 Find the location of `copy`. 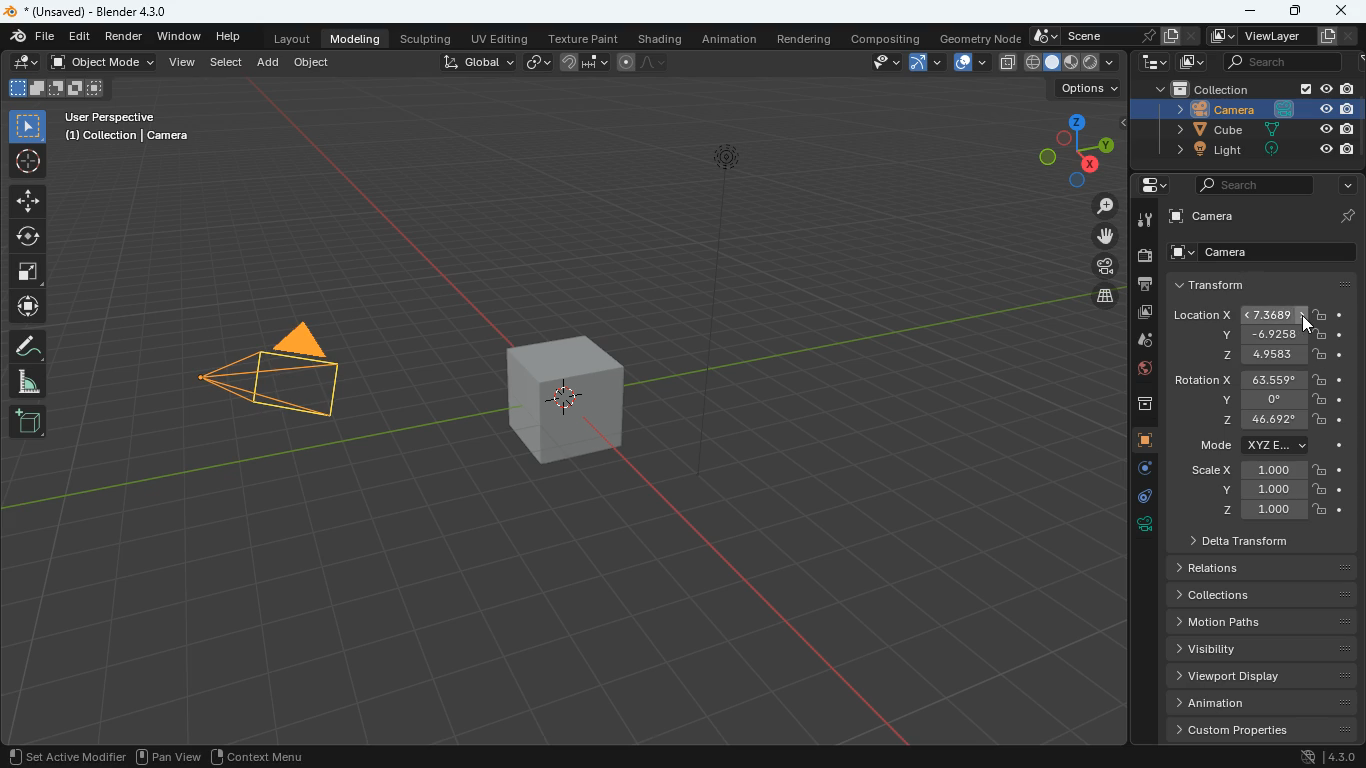

copy is located at coordinates (1007, 64).